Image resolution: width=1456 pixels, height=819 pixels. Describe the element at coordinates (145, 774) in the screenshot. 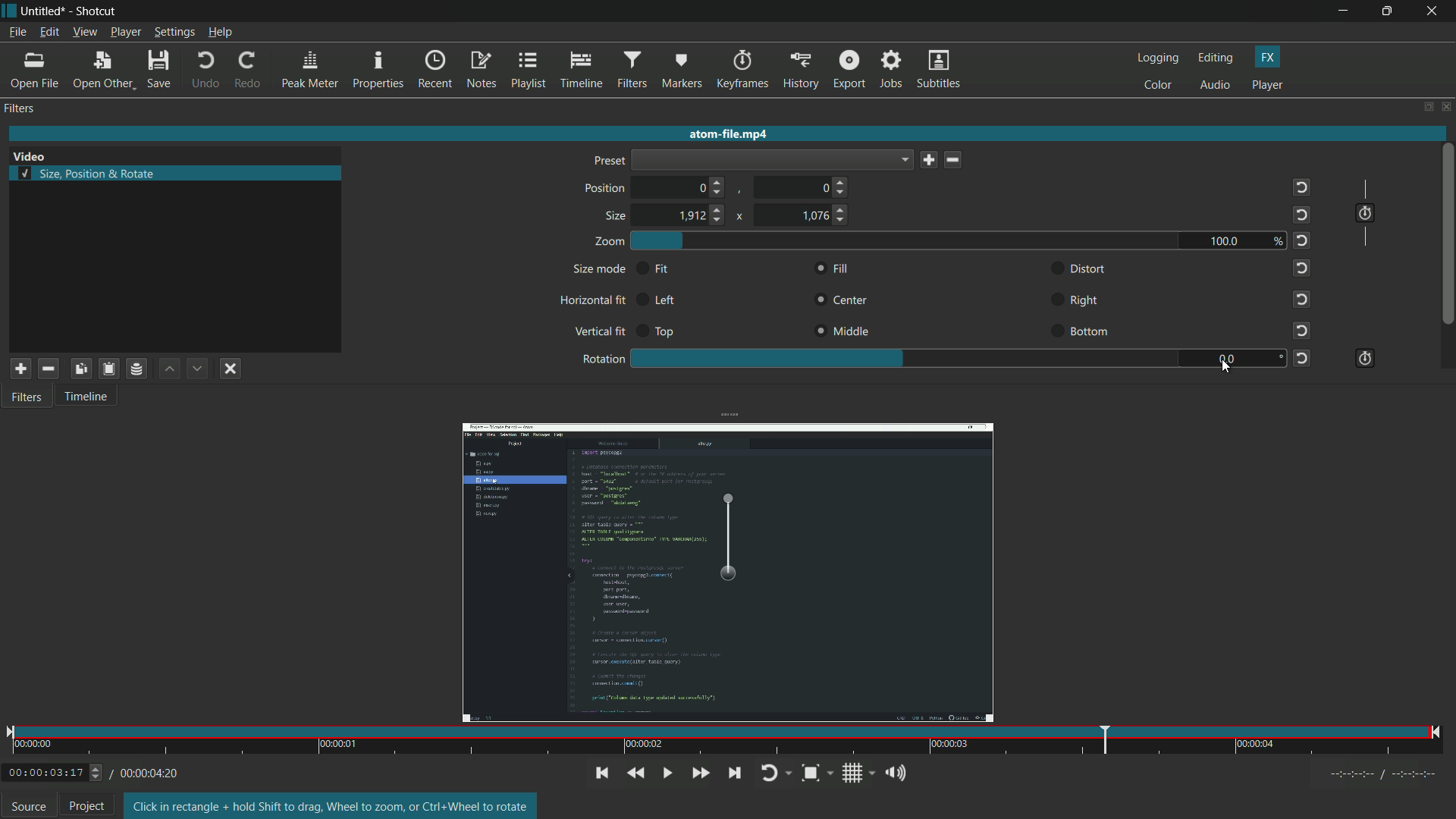

I see `00:00:04:20` at that location.